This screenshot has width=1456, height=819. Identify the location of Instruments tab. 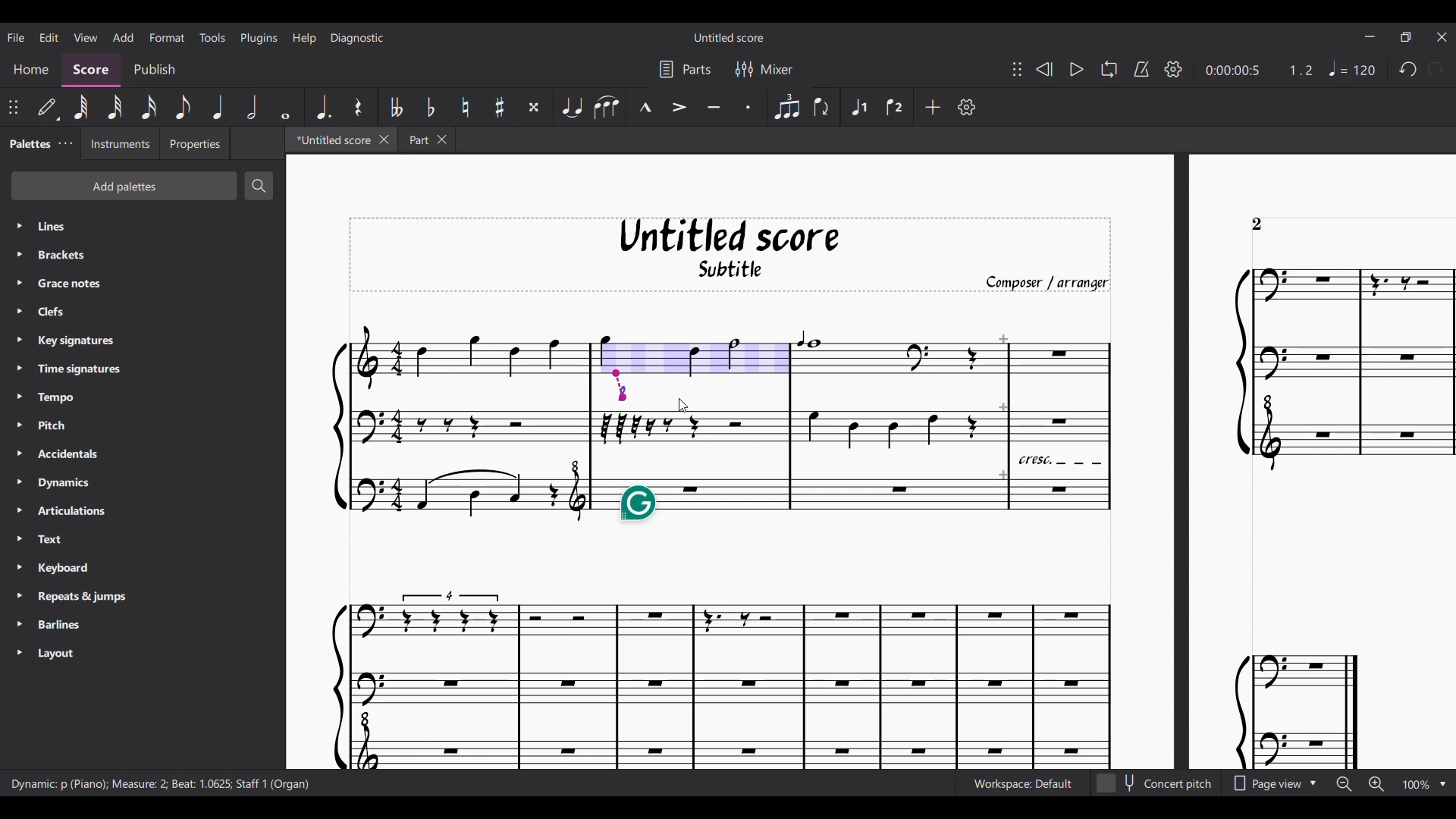
(121, 143).